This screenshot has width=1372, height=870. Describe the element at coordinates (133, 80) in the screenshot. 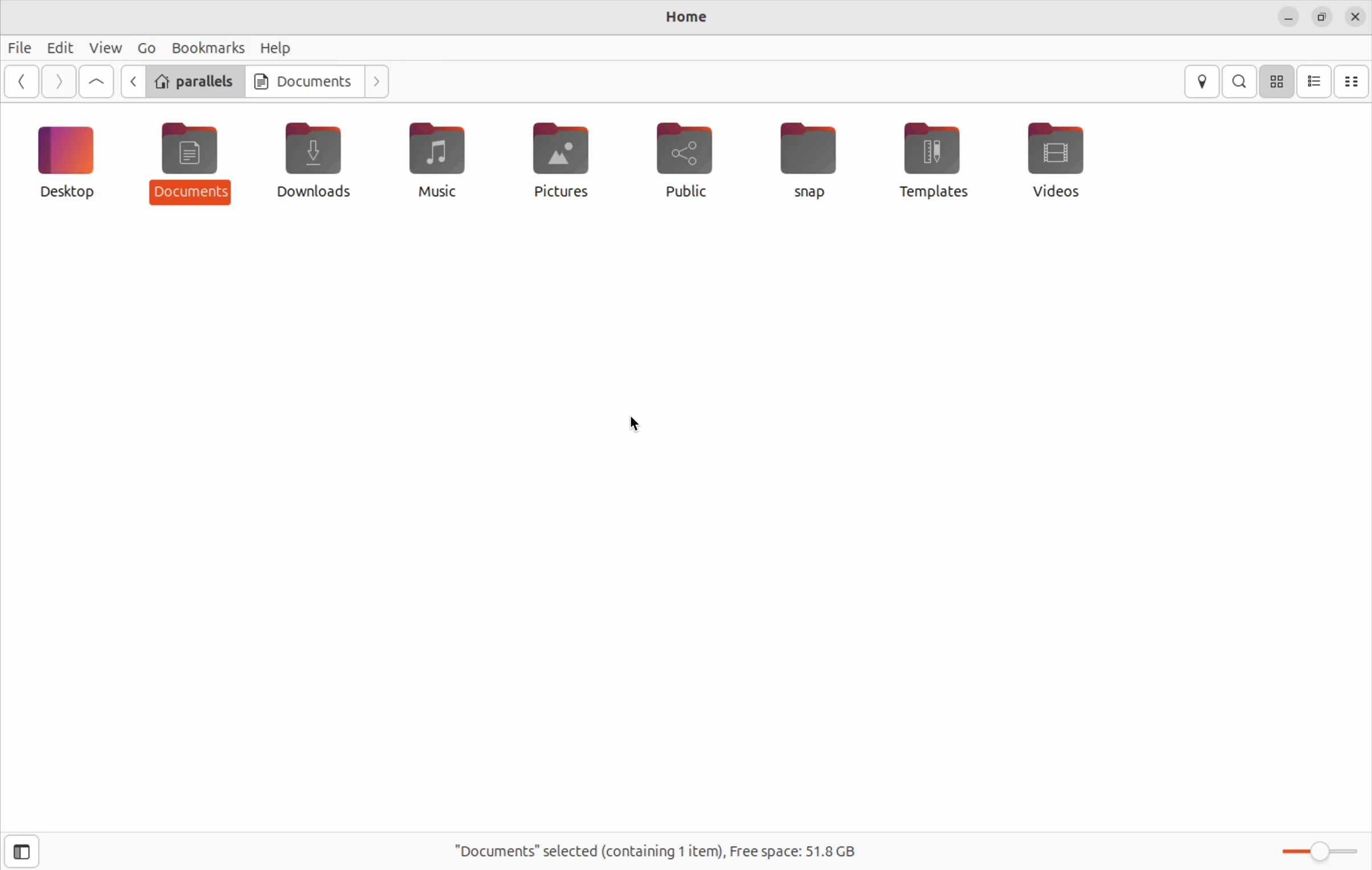

I see `go back` at that location.